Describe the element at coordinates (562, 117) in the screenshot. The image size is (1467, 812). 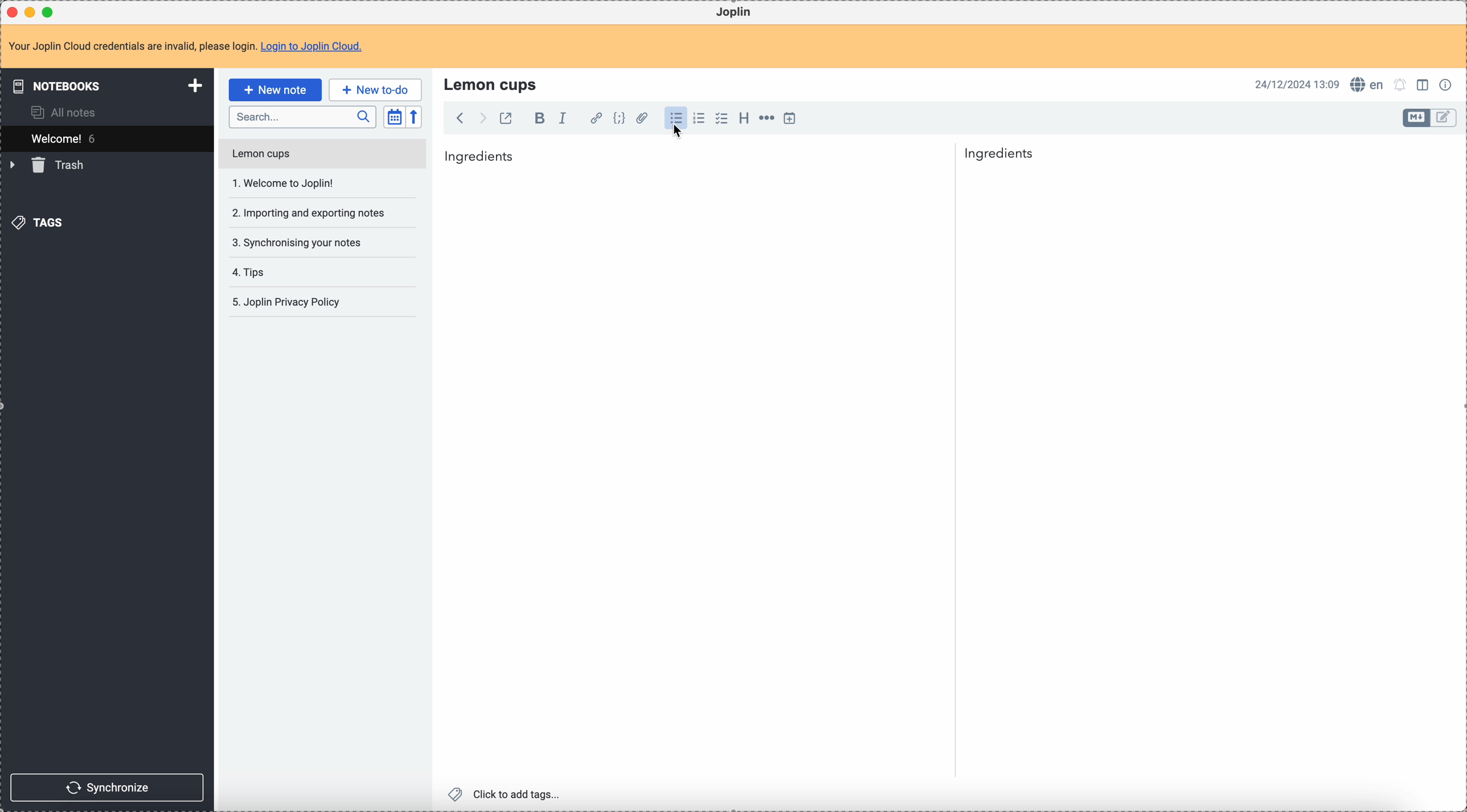
I see `italic` at that location.